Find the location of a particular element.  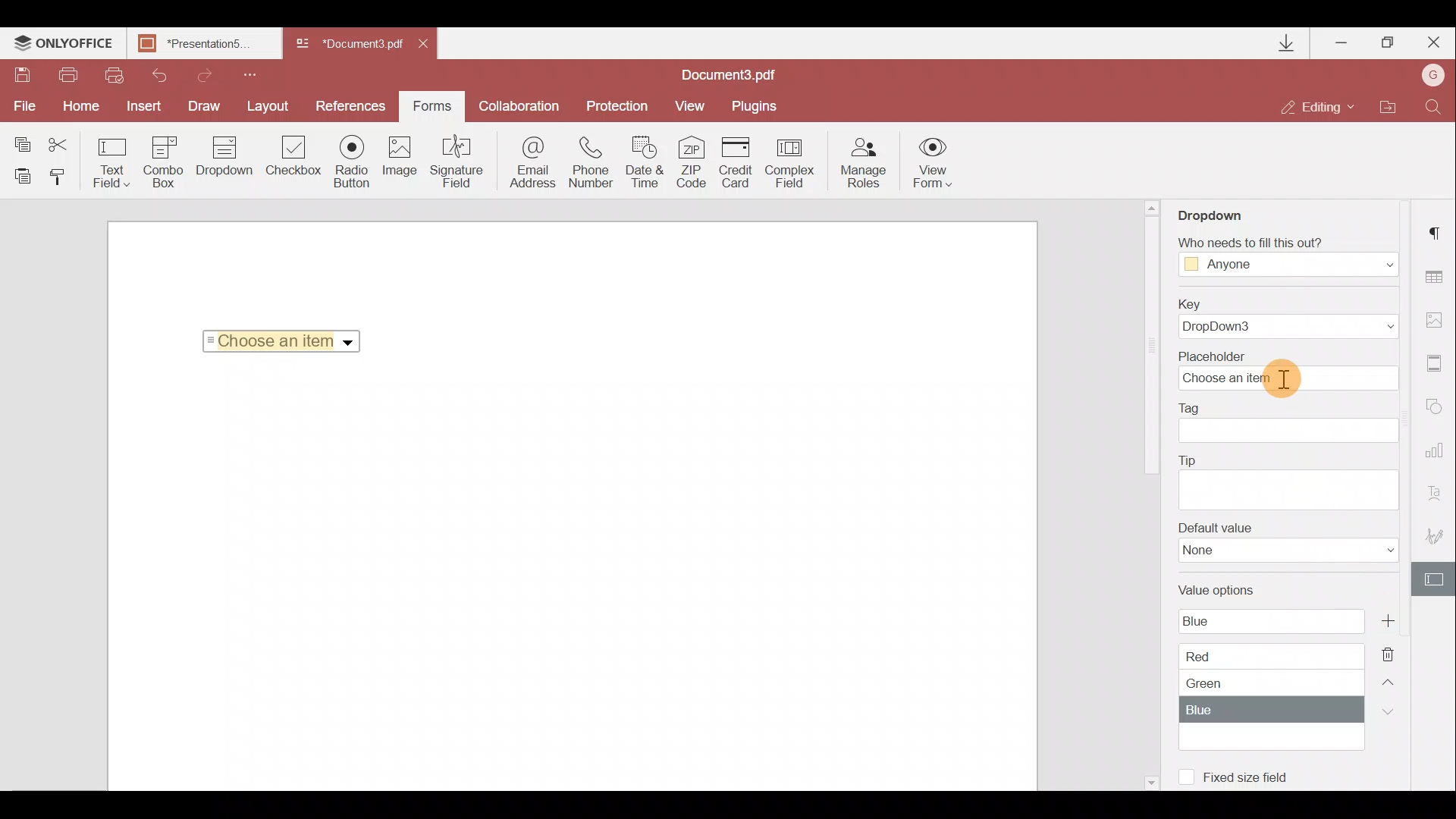

Shapes settings is located at coordinates (1439, 408).